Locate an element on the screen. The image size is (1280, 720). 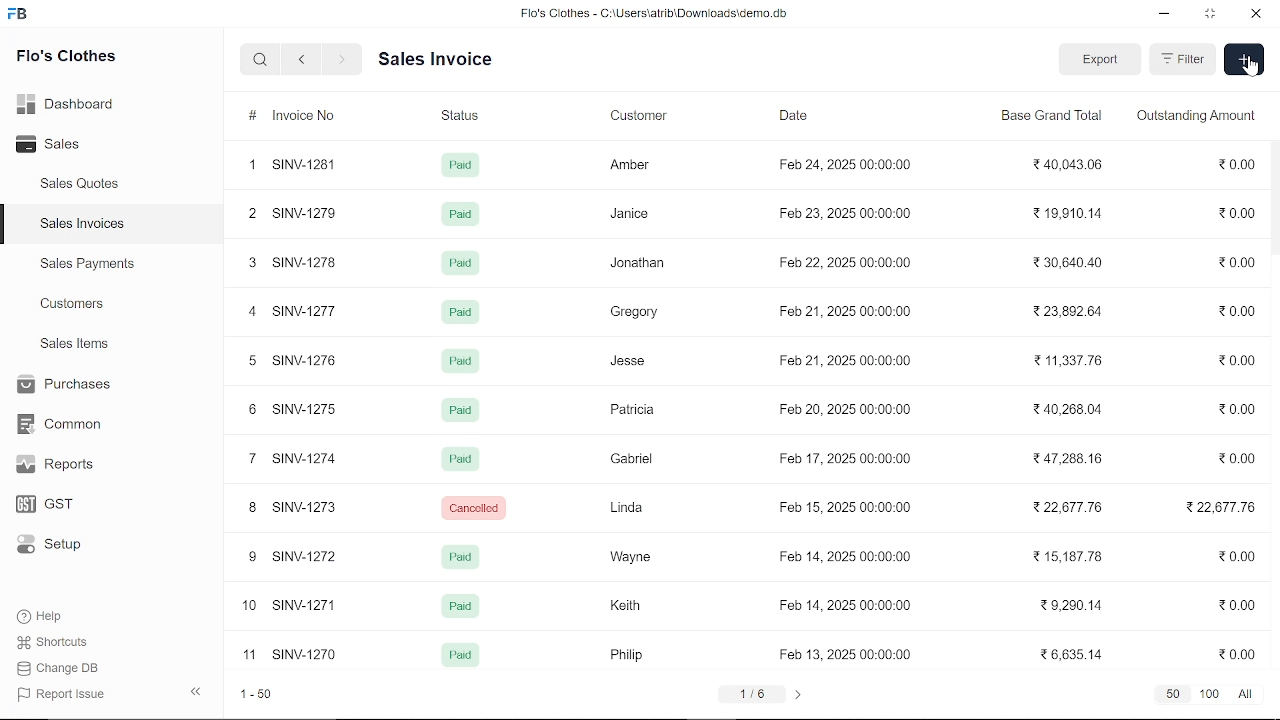
 Customer is located at coordinates (649, 117).